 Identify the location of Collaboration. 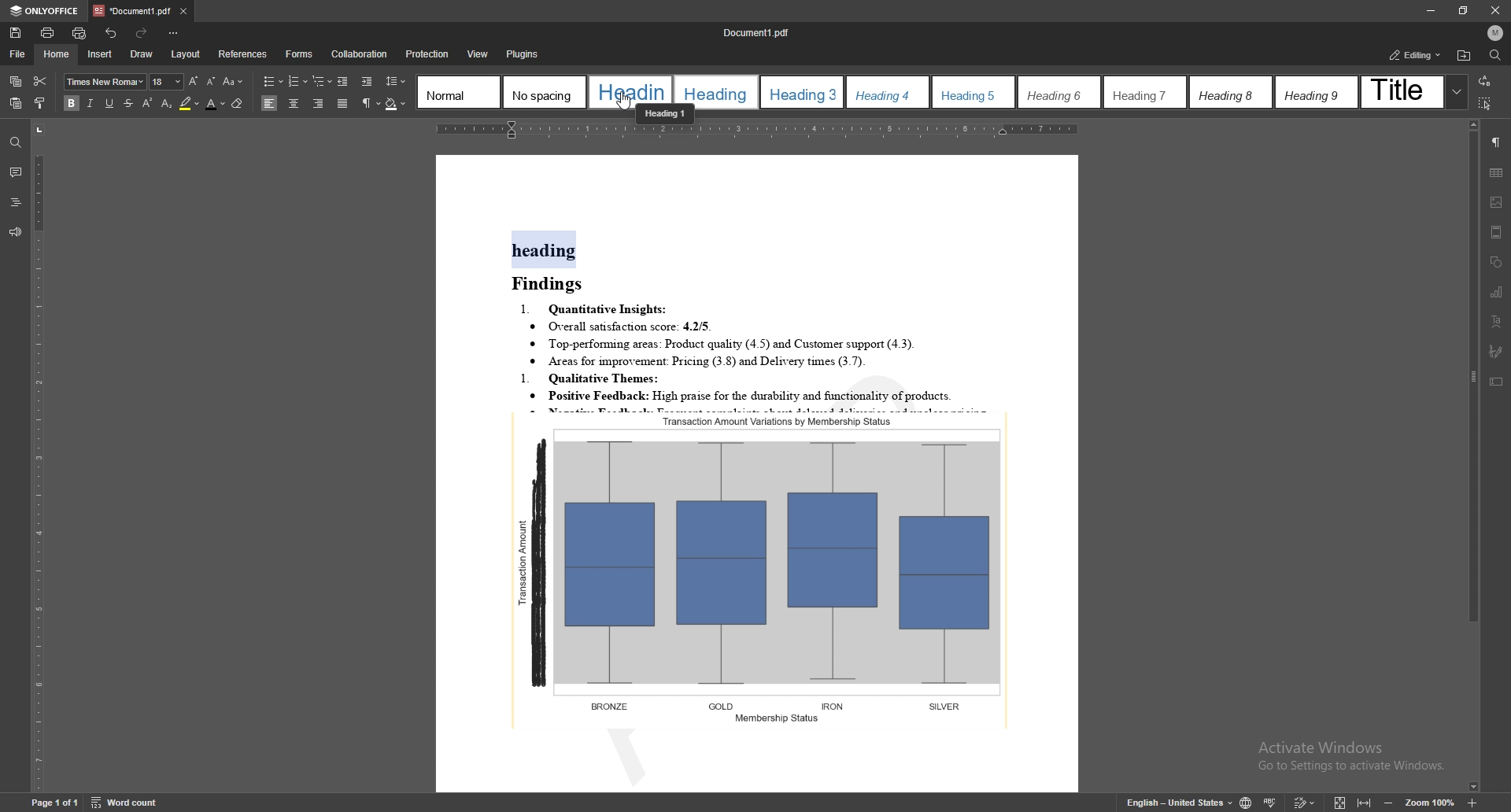
(360, 54).